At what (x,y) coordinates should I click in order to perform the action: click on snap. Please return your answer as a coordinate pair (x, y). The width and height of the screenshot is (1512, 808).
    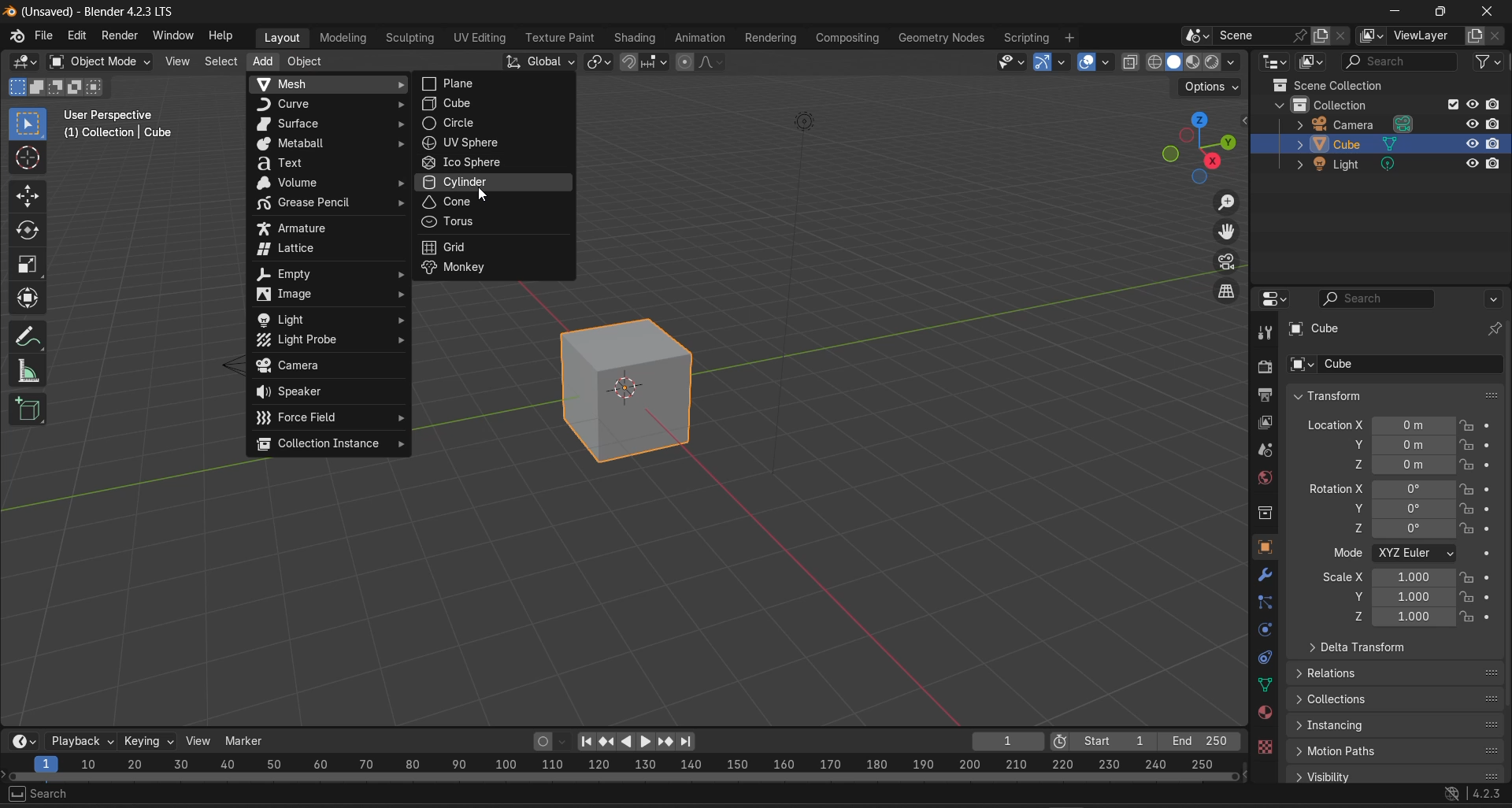
    Looking at the image, I should click on (631, 63).